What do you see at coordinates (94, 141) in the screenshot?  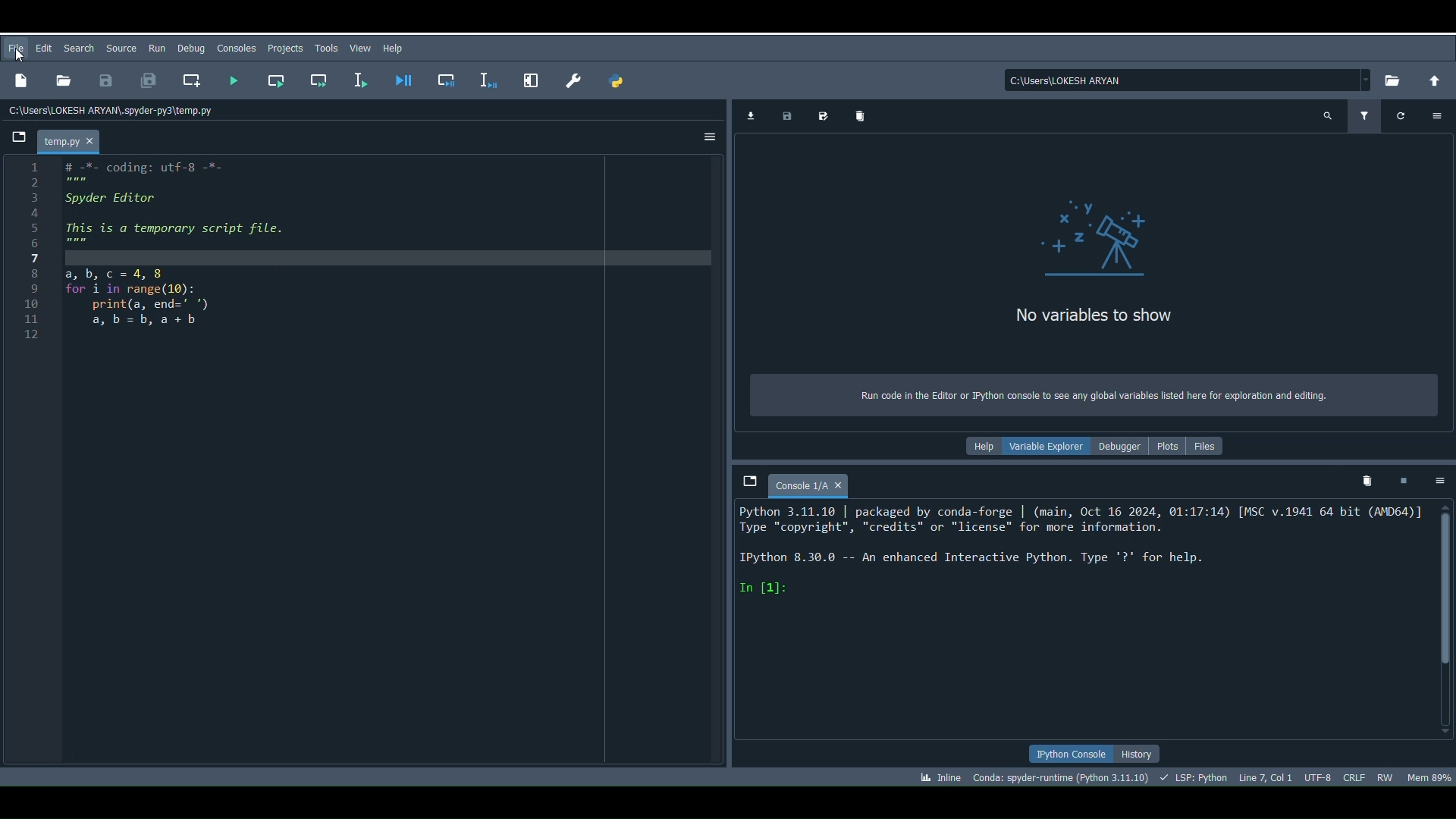 I see `close` at bounding box center [94, 141].